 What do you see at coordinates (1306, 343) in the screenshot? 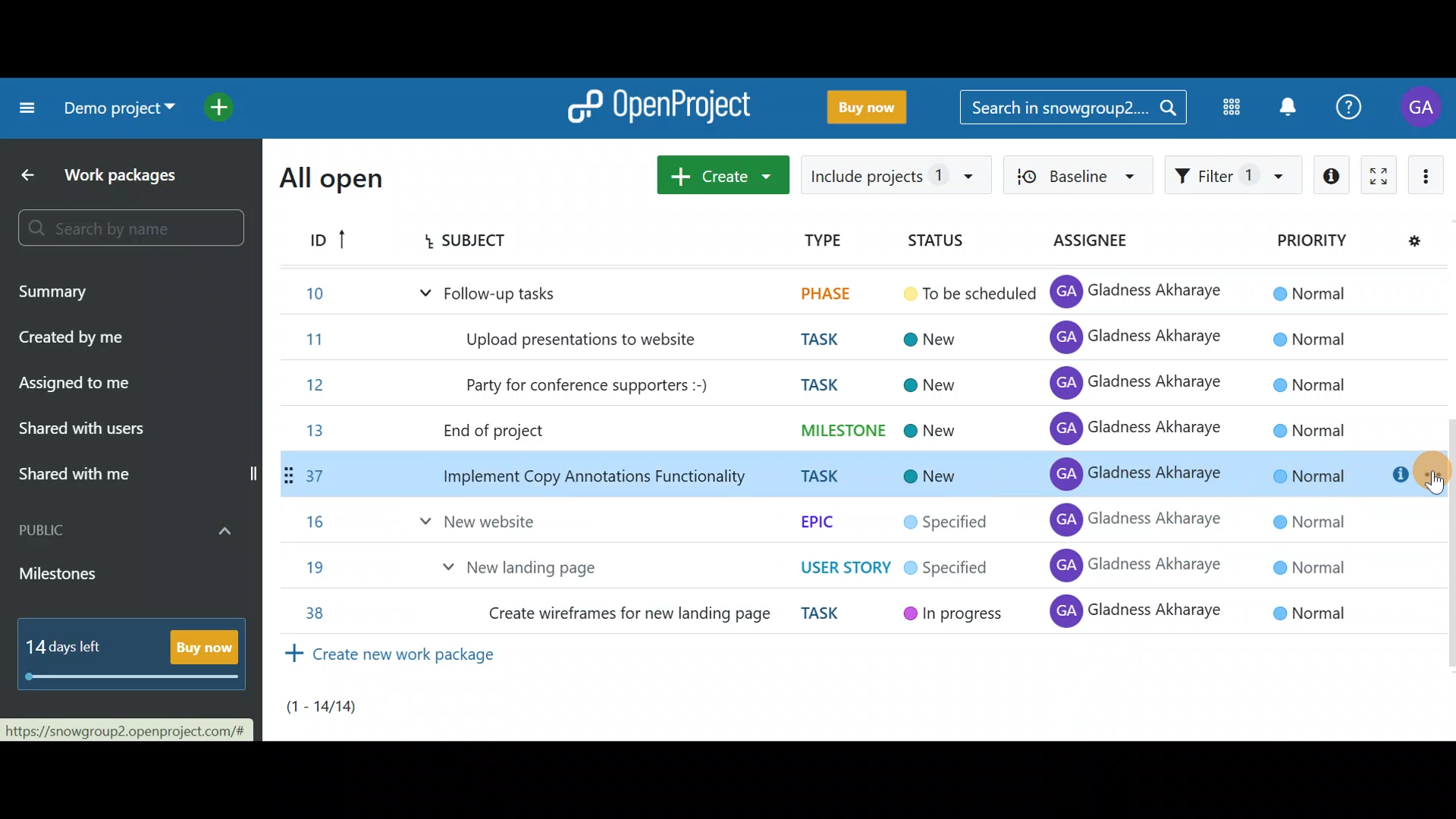
I see `© Normal` at bounding box center [1306, 343].